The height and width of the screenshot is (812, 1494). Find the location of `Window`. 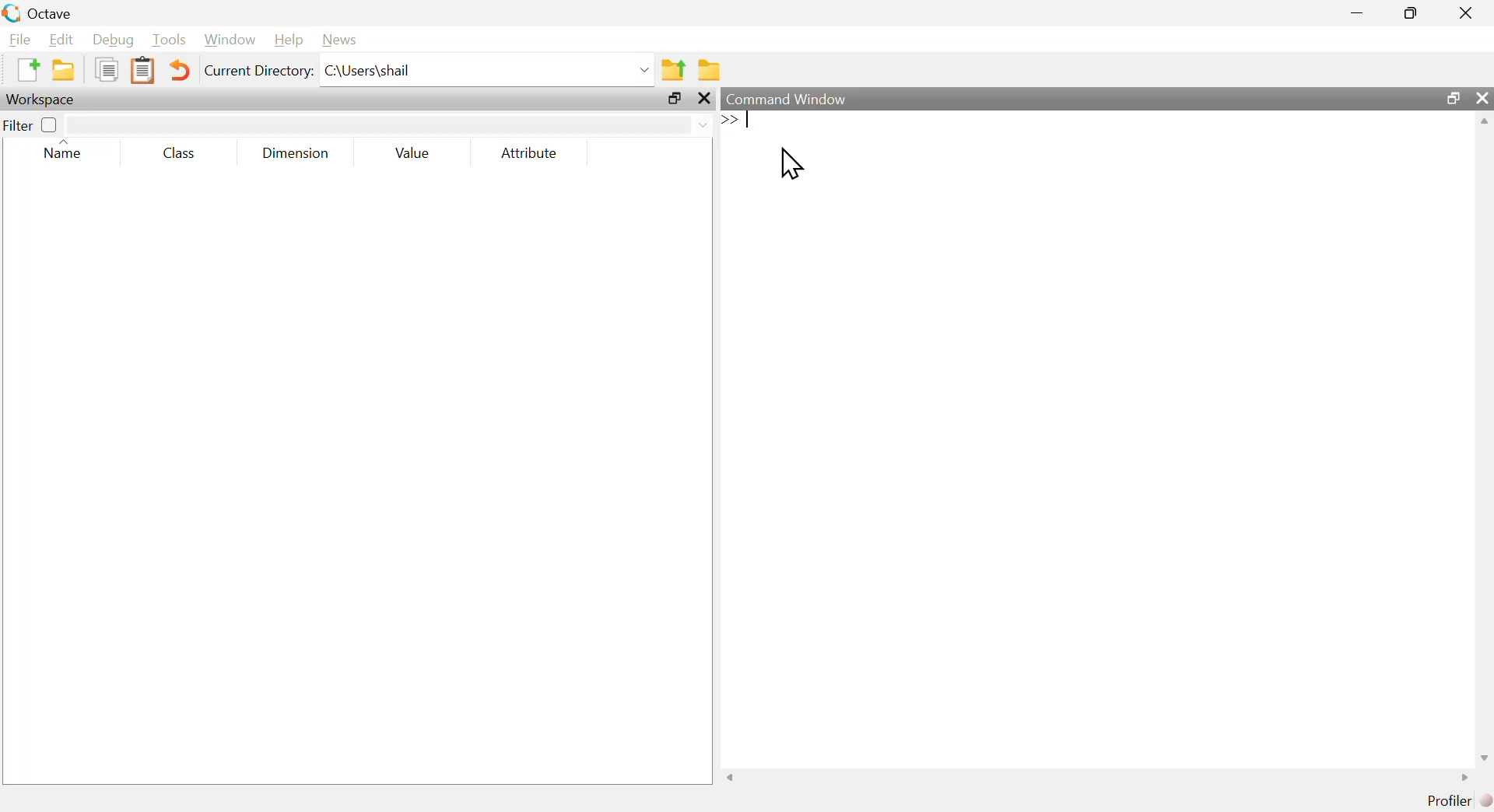

Window is located at coordinates (230, 39).